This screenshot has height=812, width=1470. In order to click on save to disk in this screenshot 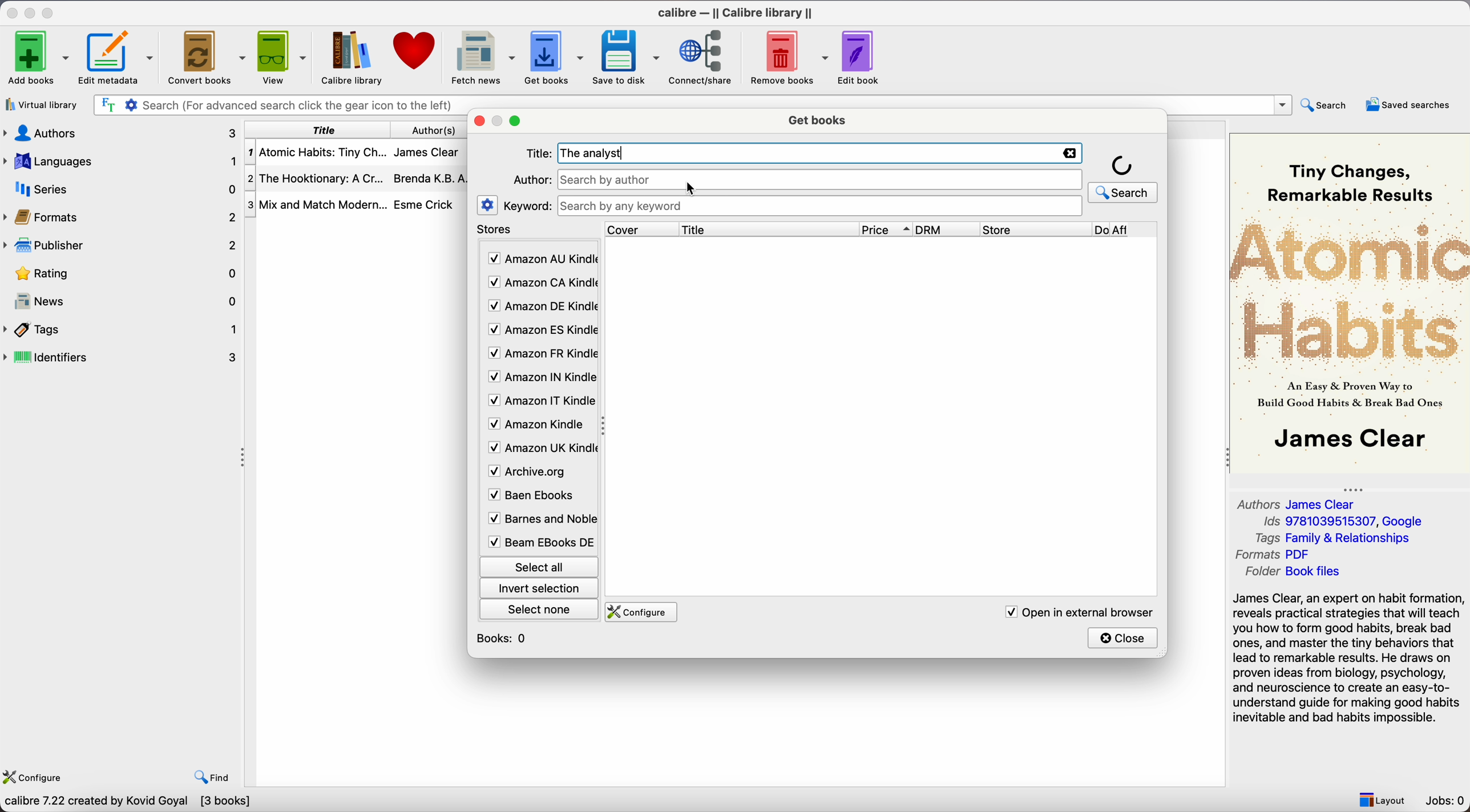, I will do `click(625, 56)`.